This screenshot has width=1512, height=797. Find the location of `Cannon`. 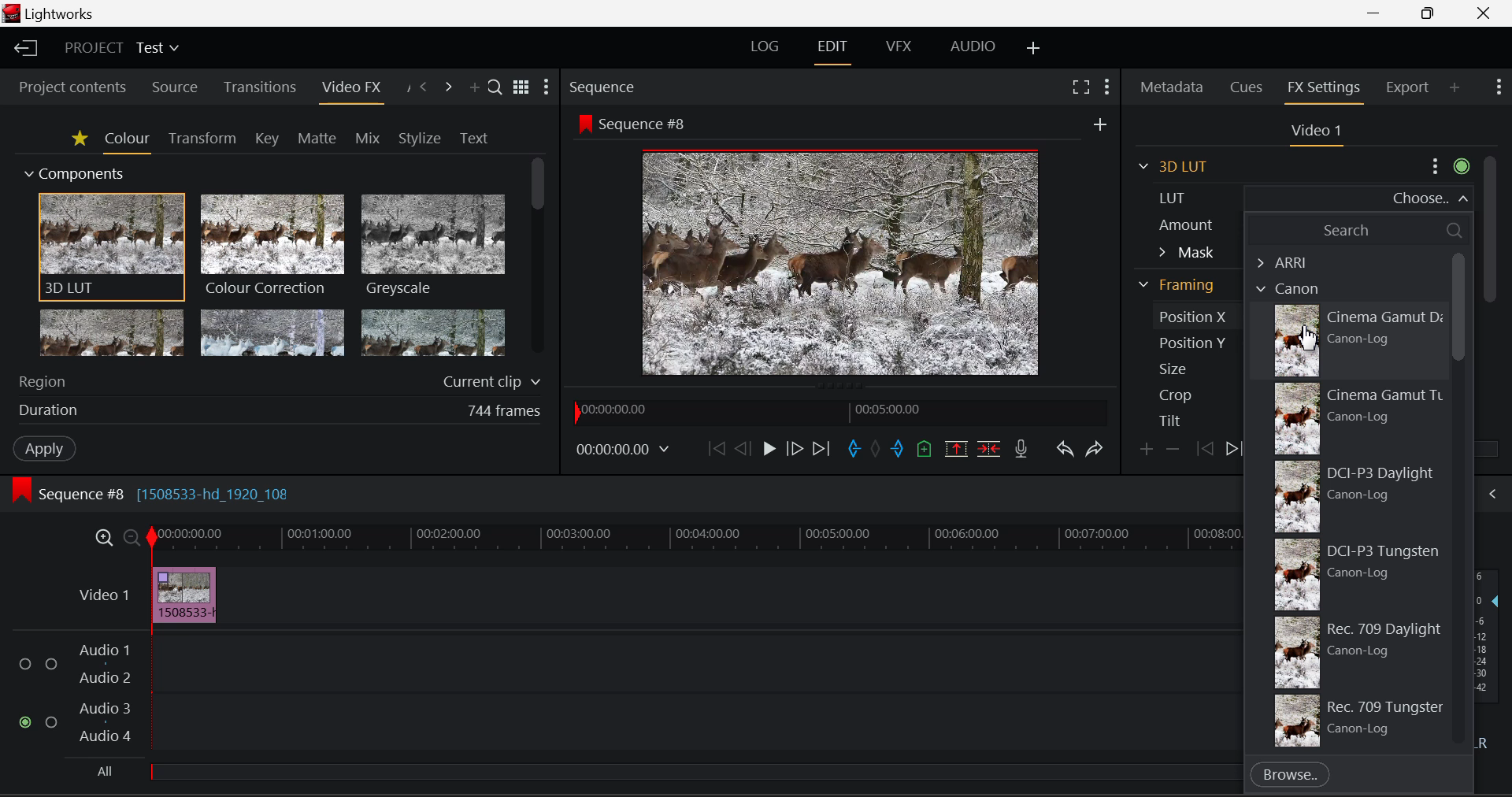

Cannon is located at coordinates (1347, 288).